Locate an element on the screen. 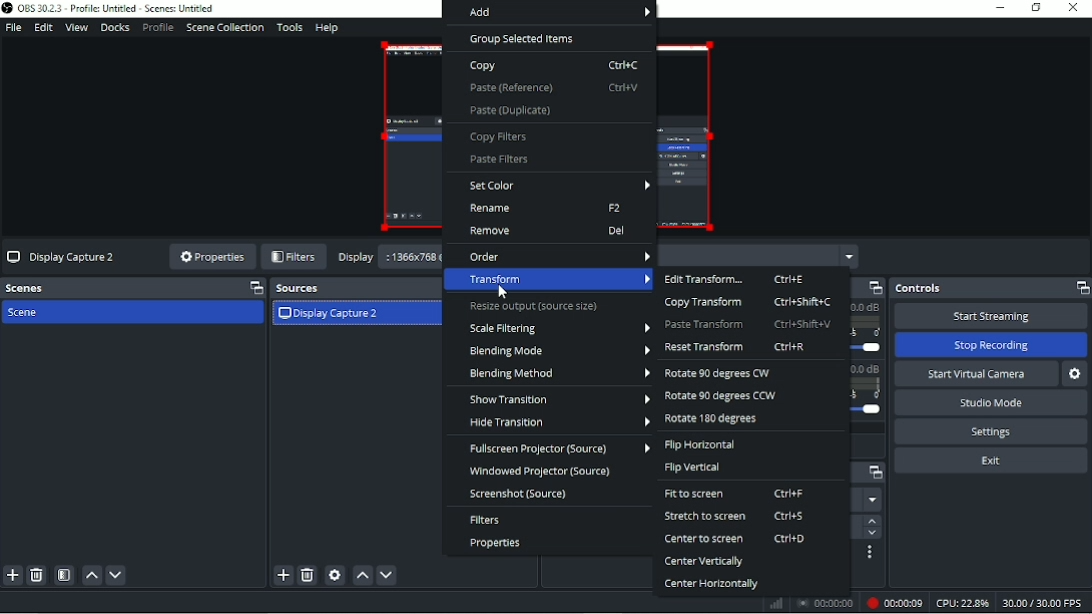 The height and width of the screenshot is (614, 1092). Exit is located at coordinates (990, 460).